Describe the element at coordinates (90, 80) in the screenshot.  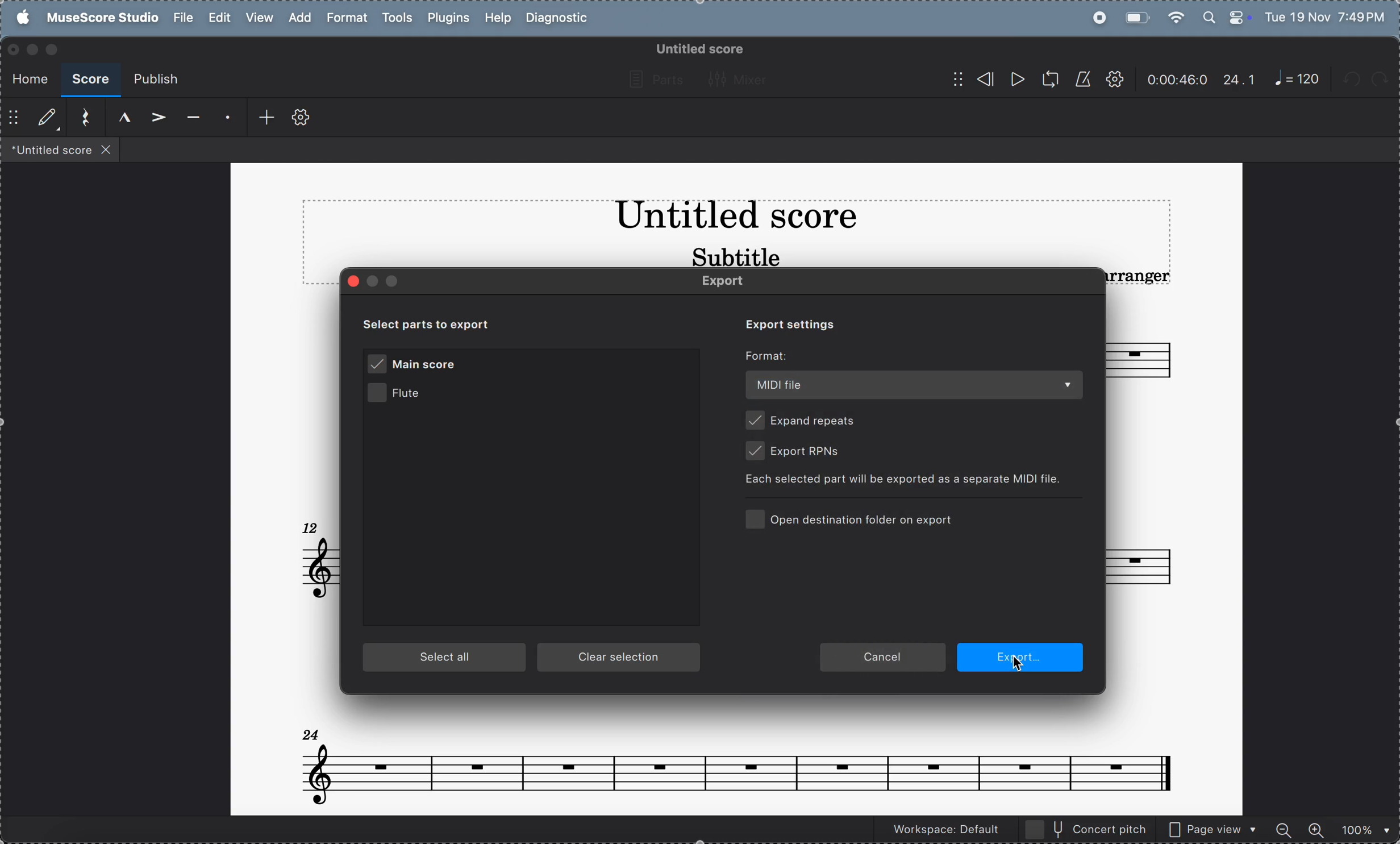
I see `score` at that location.